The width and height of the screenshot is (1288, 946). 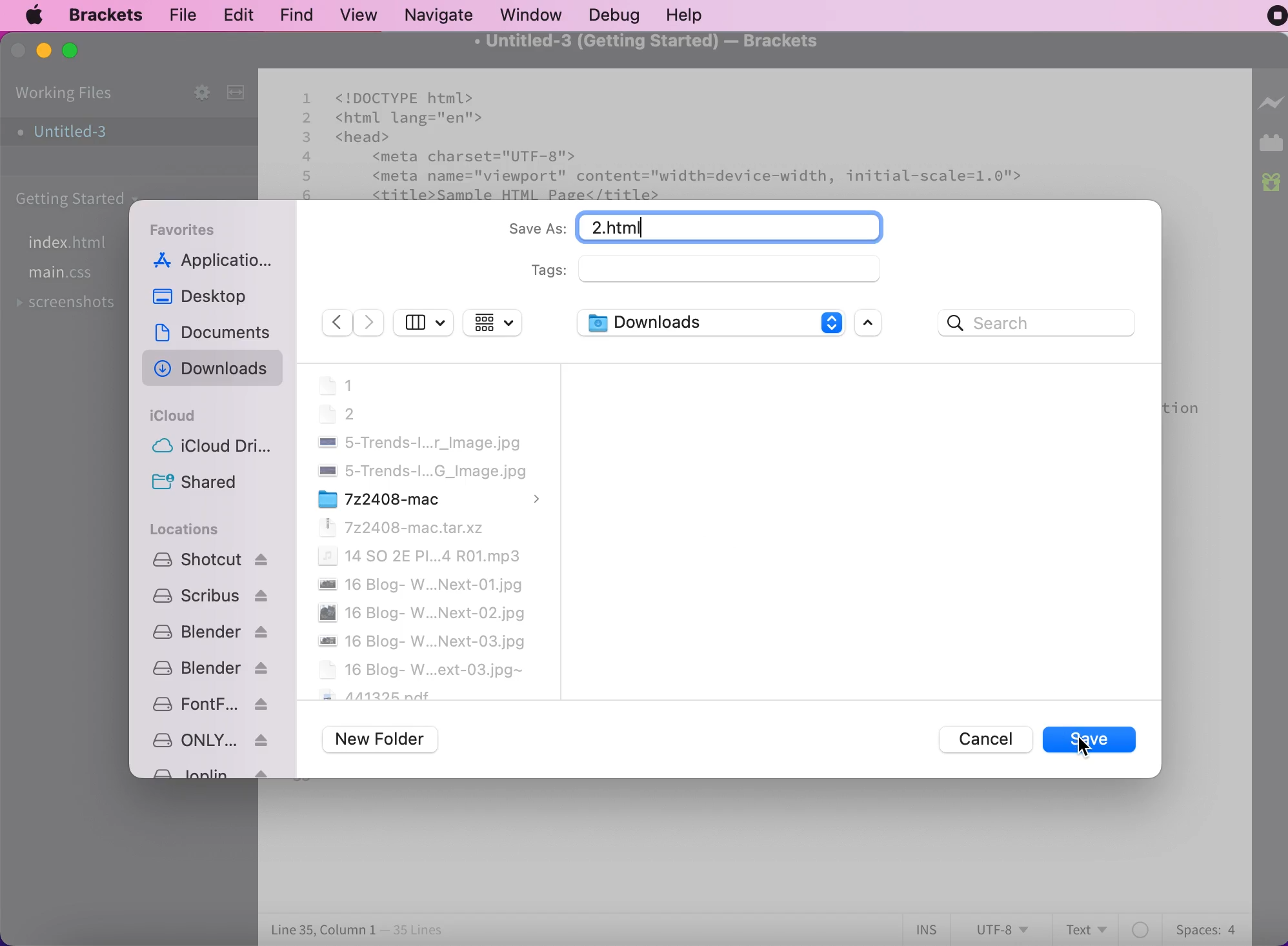 What do you see at coordinates (72, 301) in the screenshot?
I see `screenshots` at bounding box center [72, 301].